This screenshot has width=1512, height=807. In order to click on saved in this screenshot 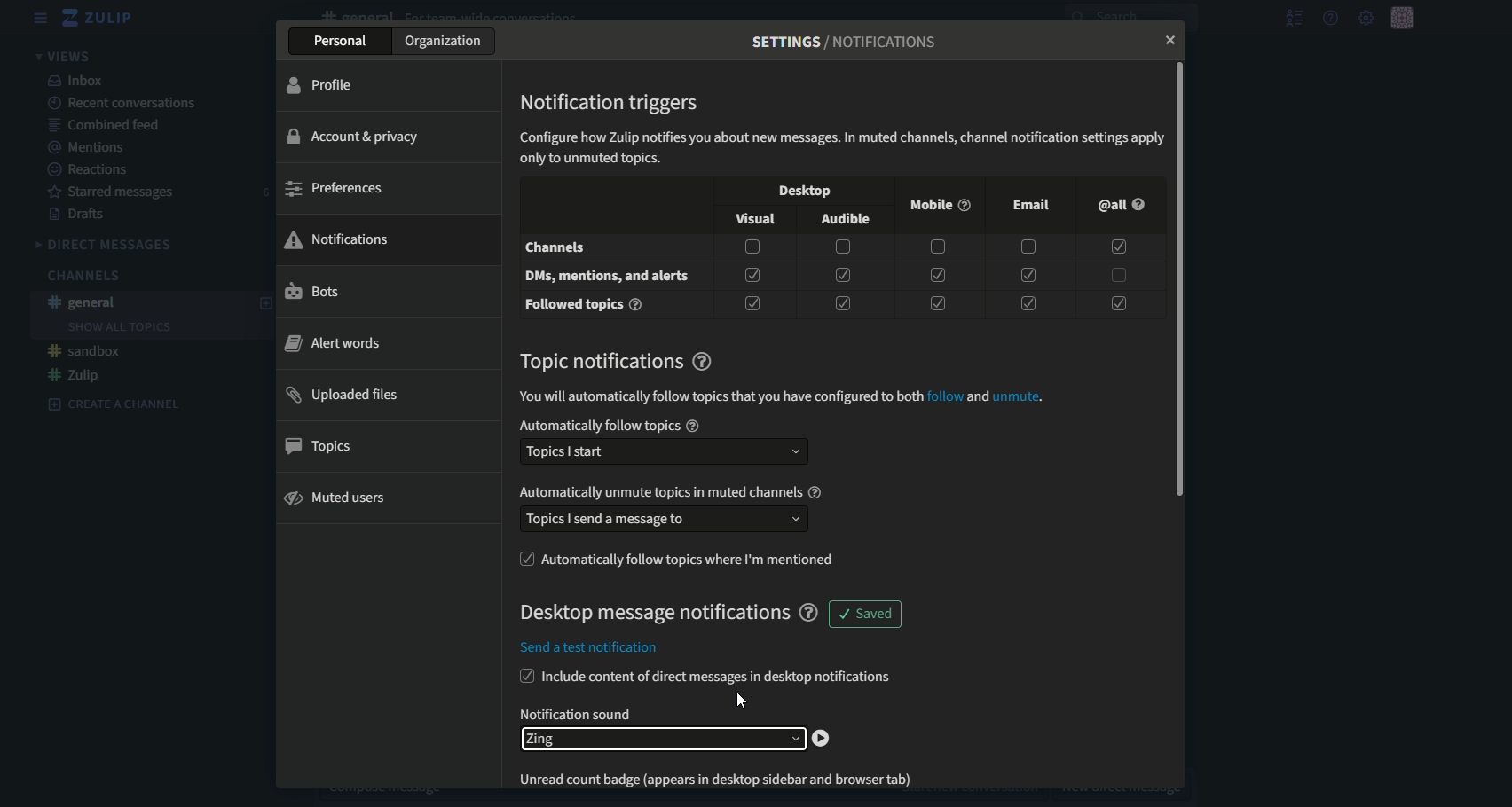, I will do `click(866, 615)`.